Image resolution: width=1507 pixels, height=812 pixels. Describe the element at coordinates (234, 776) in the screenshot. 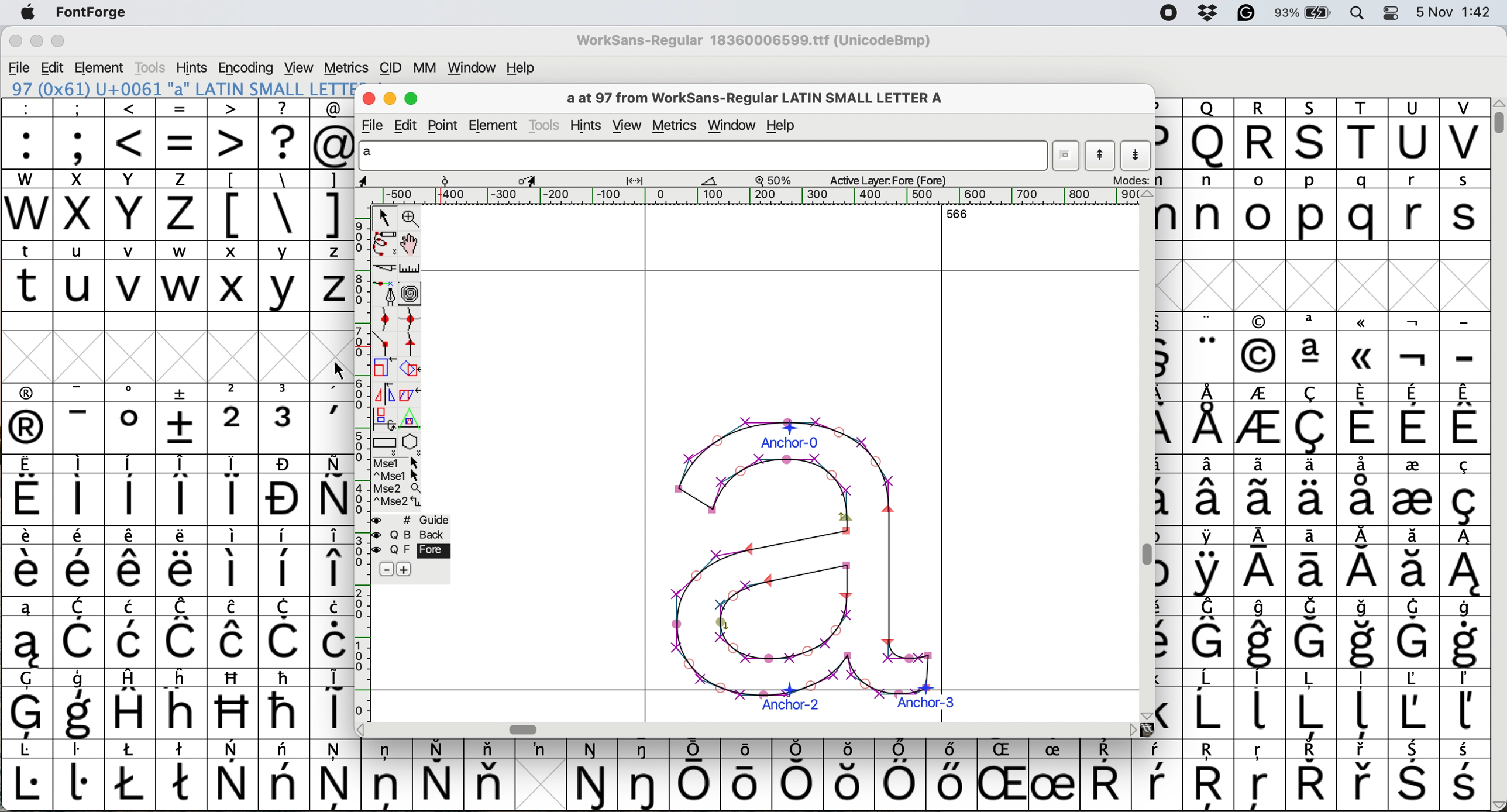

I see `symbol` at that location.